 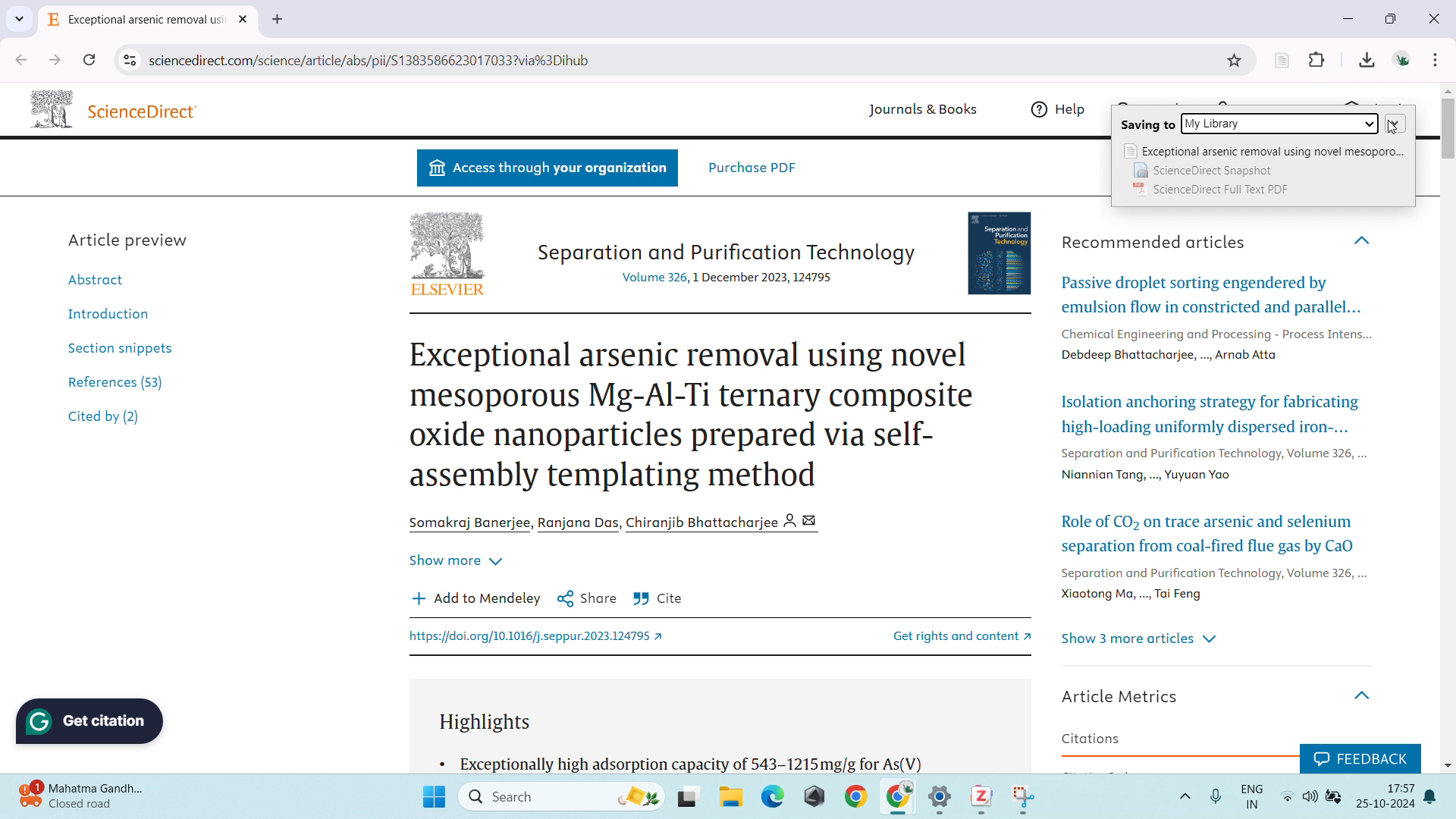 What do you see at coordinates (1446, 137) in the screenshot?
I see `scrollbar` at bounding box center [1446, 137].